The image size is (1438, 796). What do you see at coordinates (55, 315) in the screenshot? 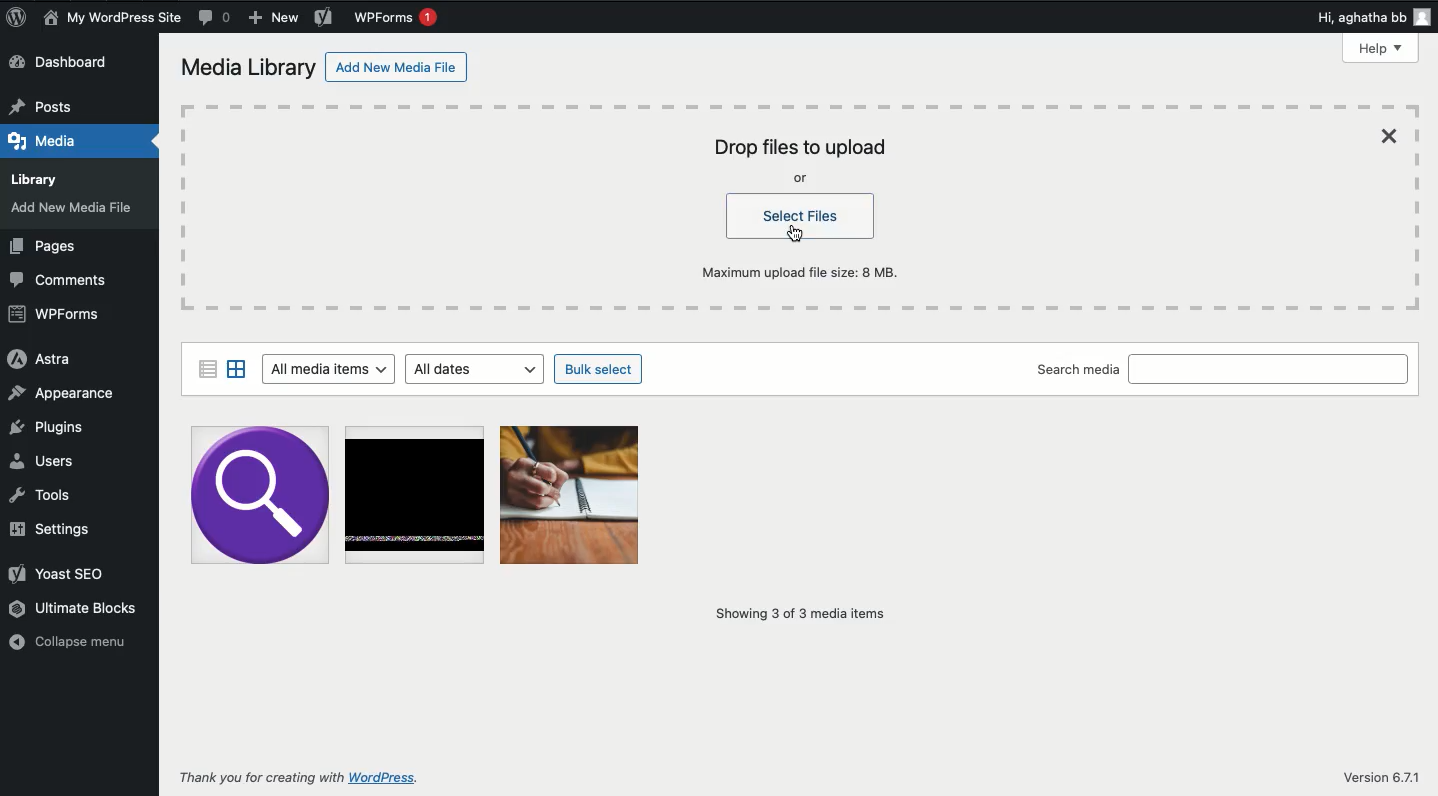
I see `WPForms` at bounding box center [55, 315].